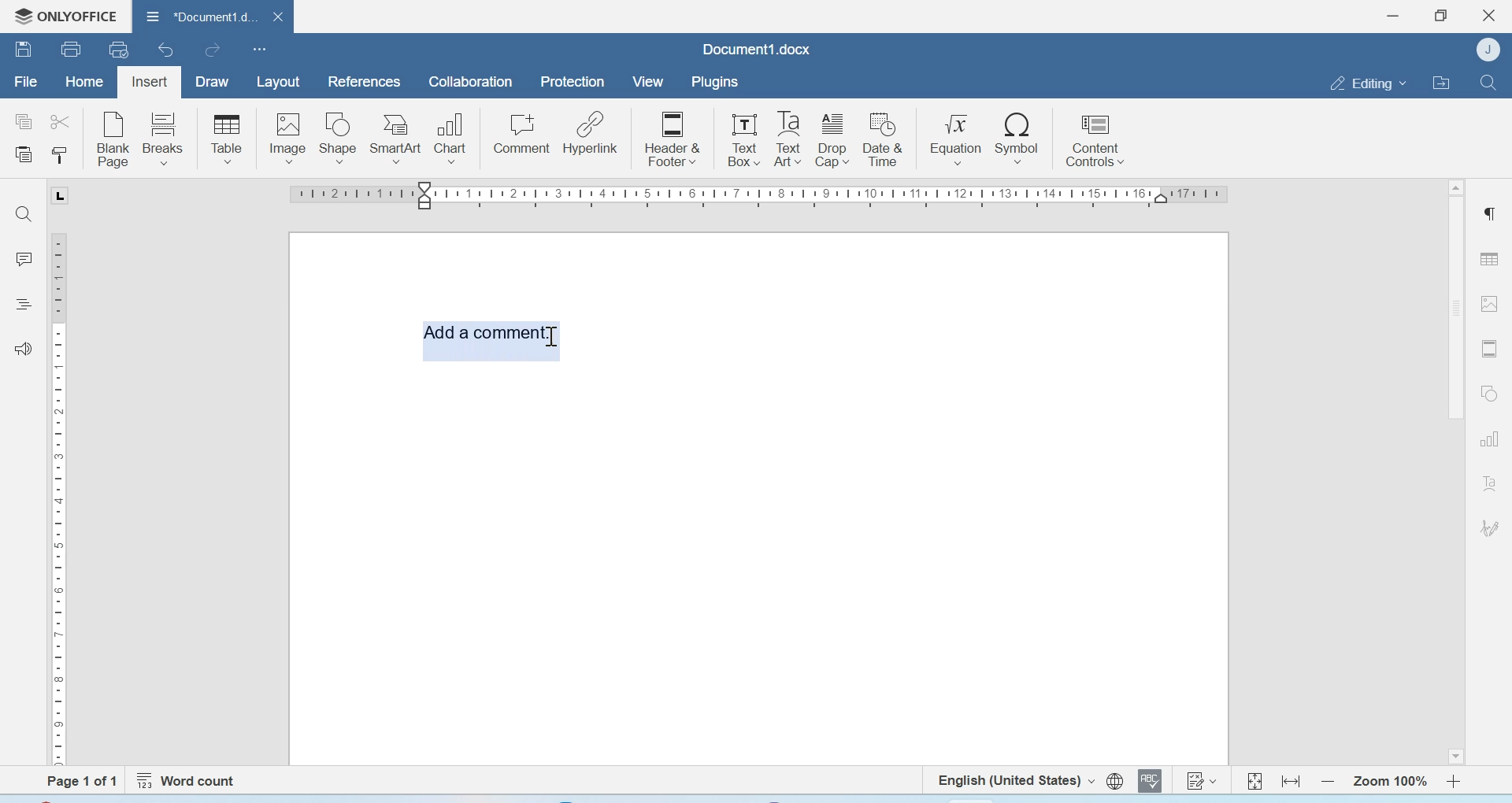 Image resolution: width=1512 pixels, height=803 pixels. Describe the element at coordinates (1367, 83) in the screenshot. I see `Editing` at that location.